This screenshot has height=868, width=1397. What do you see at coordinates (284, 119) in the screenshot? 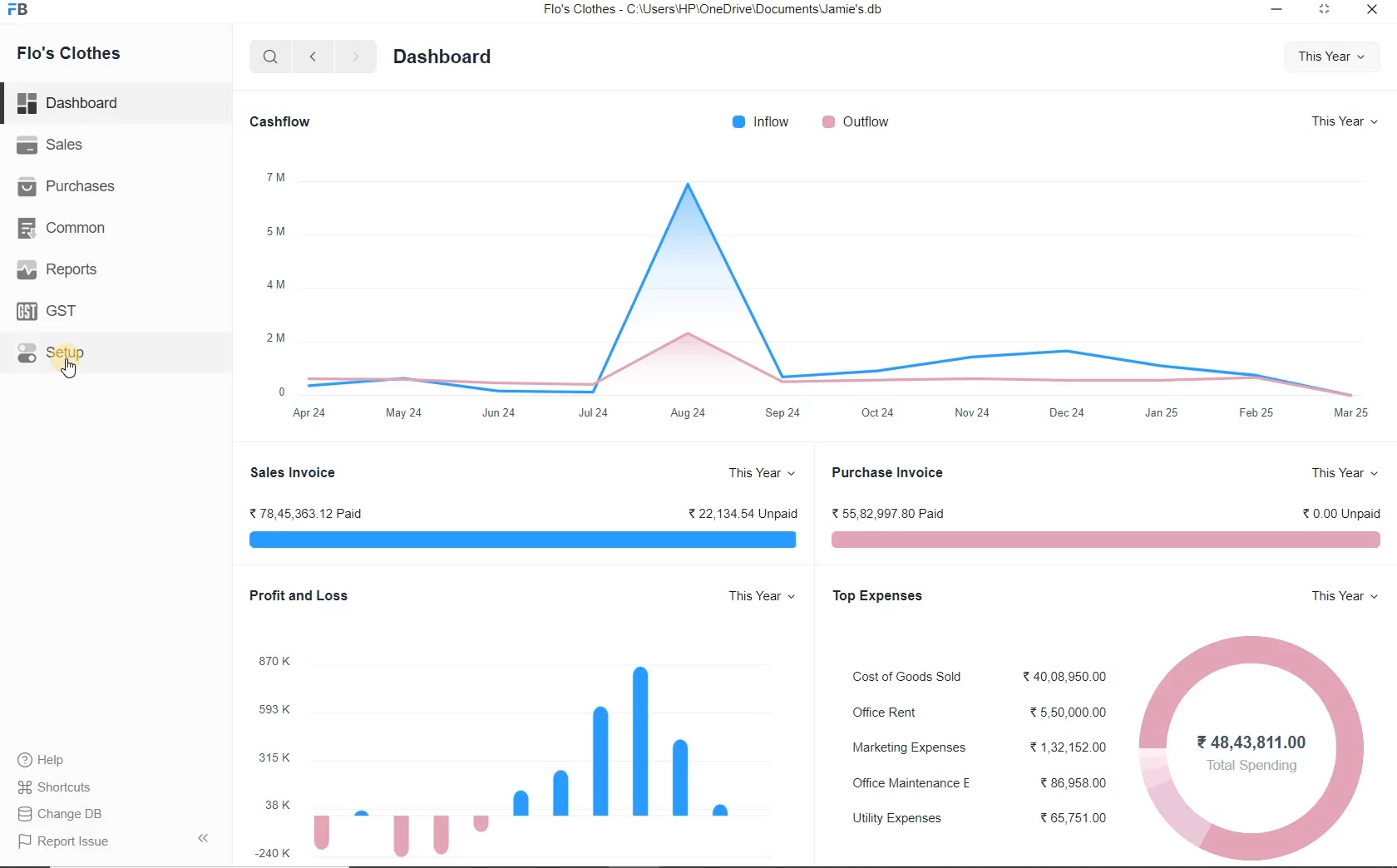
I see `Cashflow` at bounding box center [284, 119].